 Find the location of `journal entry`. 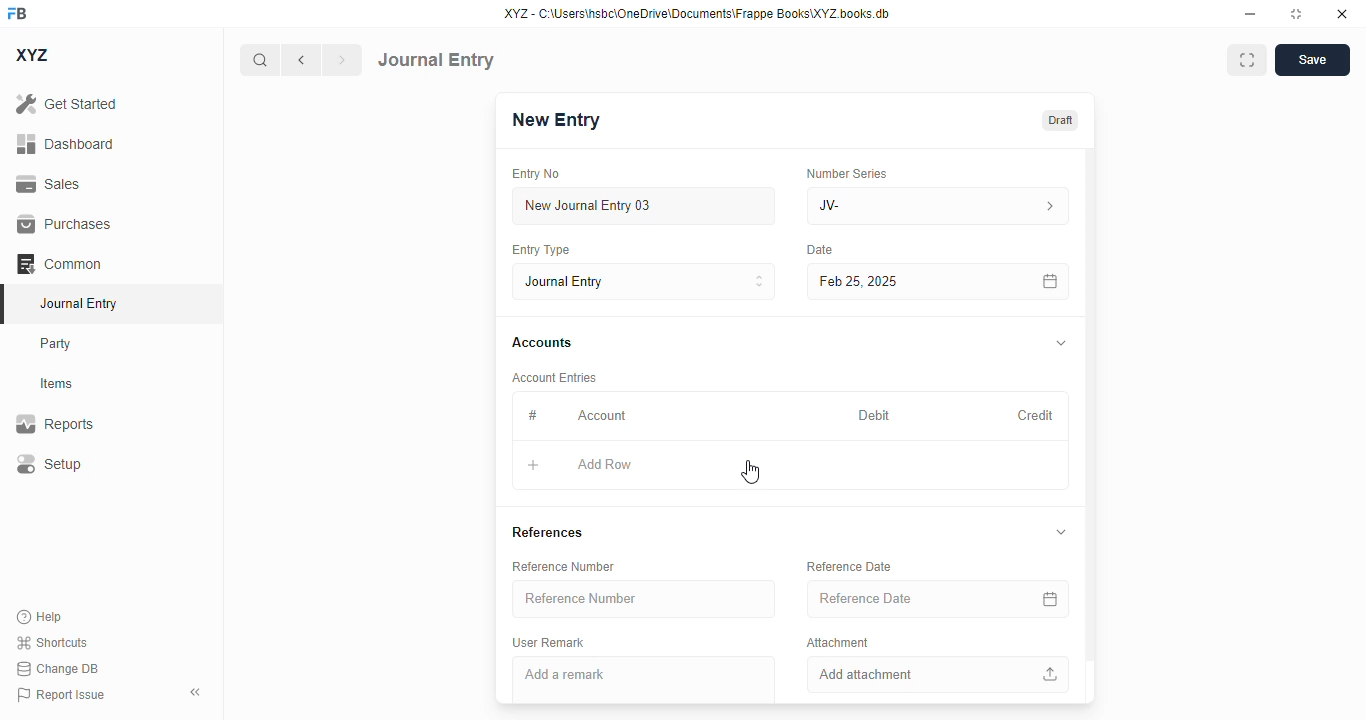

journal entry is located at coordinates (77, 303).